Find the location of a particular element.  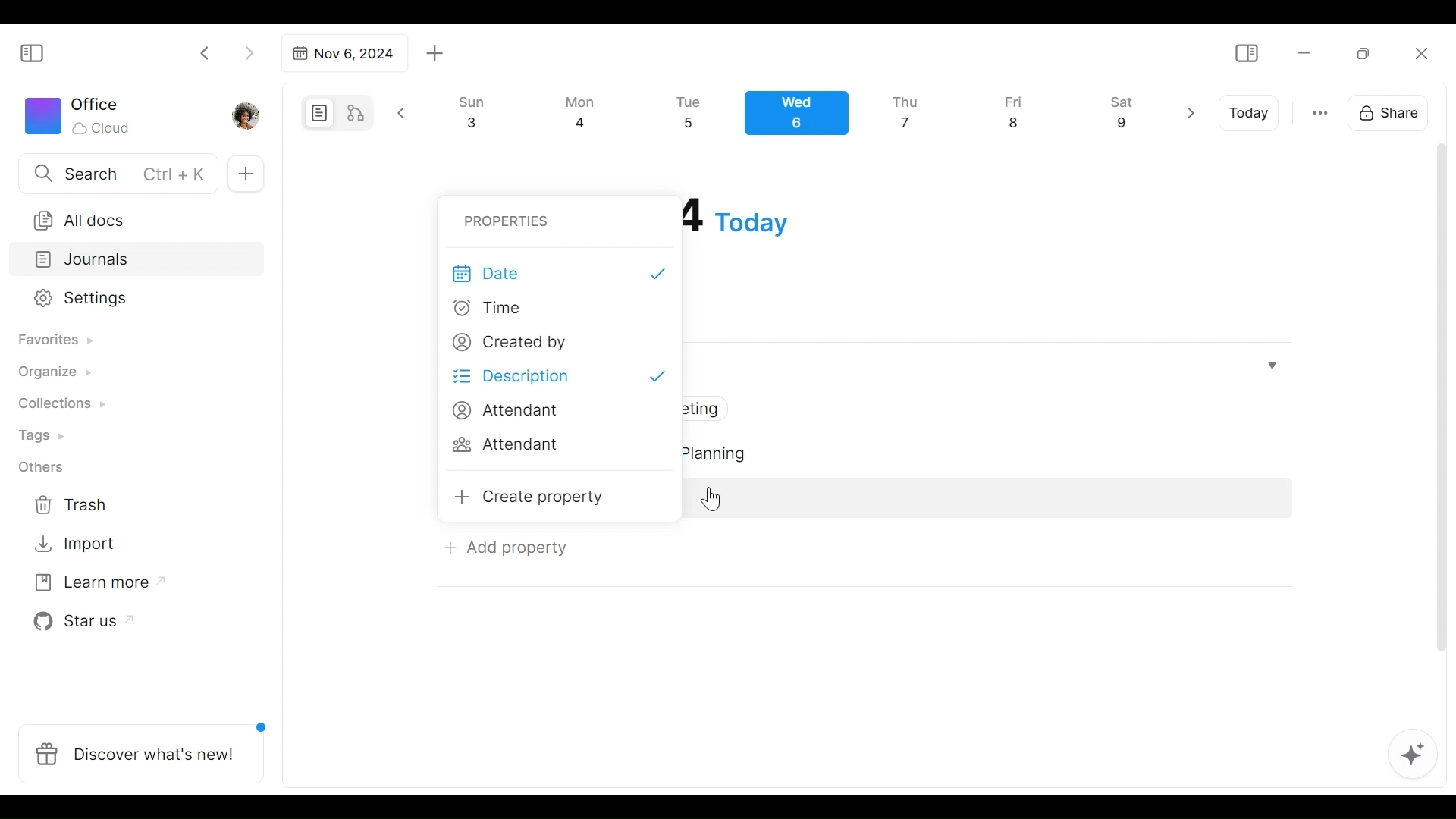

Share is located at coordinates (1393, 111).